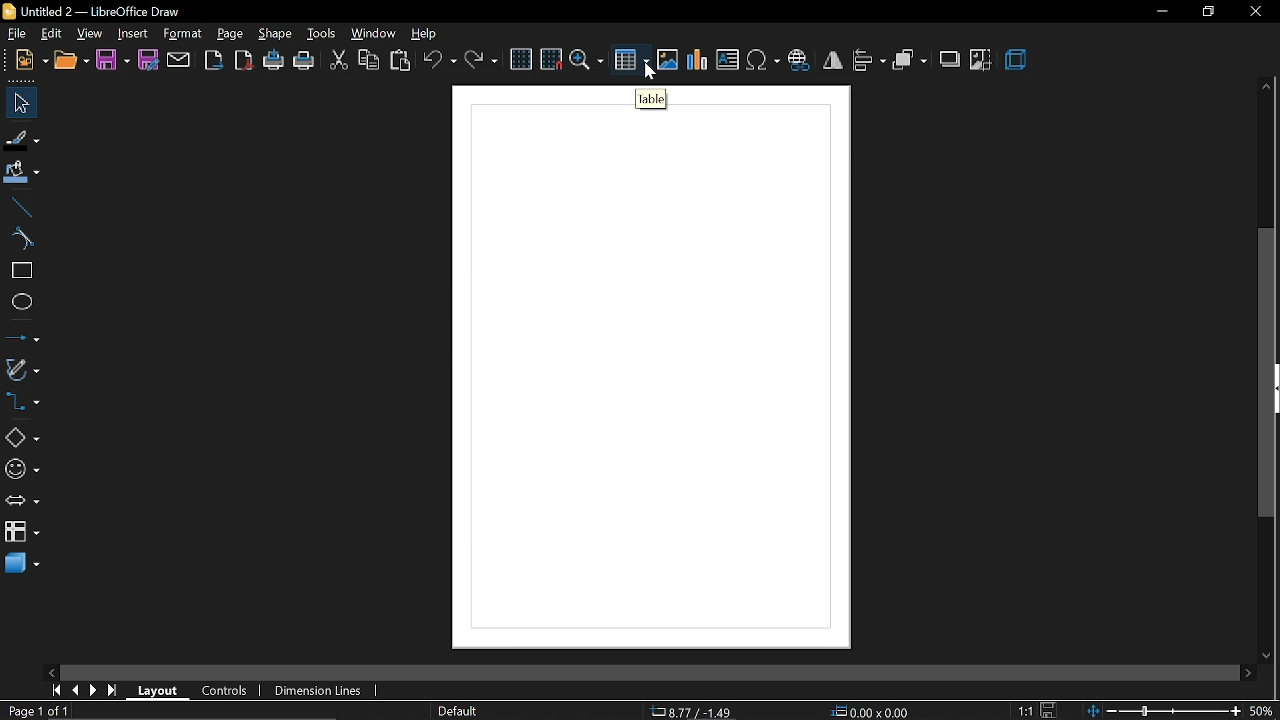  I want to click on 3d effect, so click(1018, 61).